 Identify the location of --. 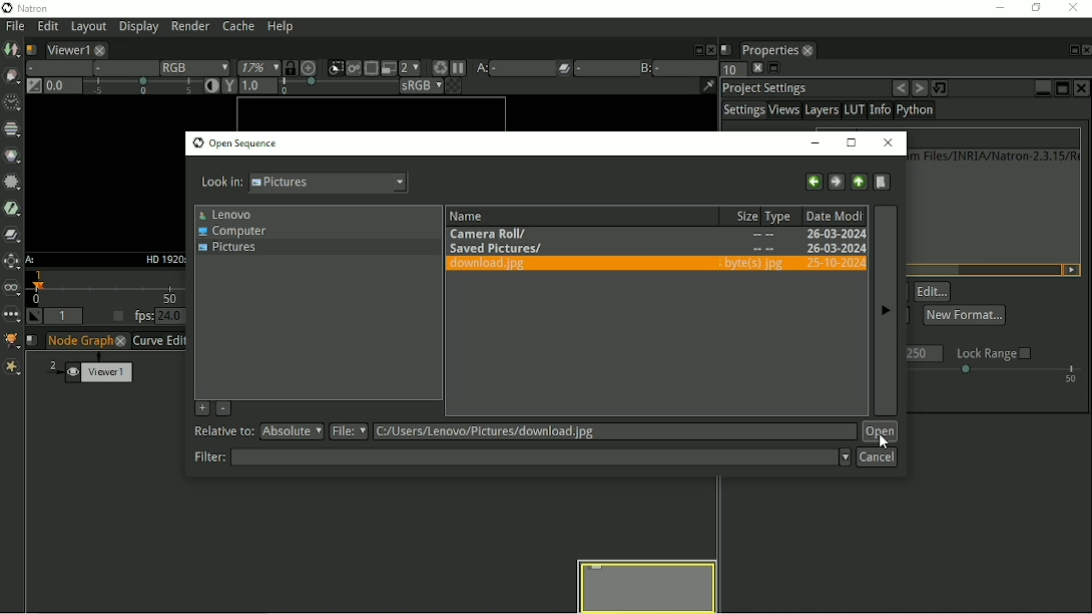
(763, 236).